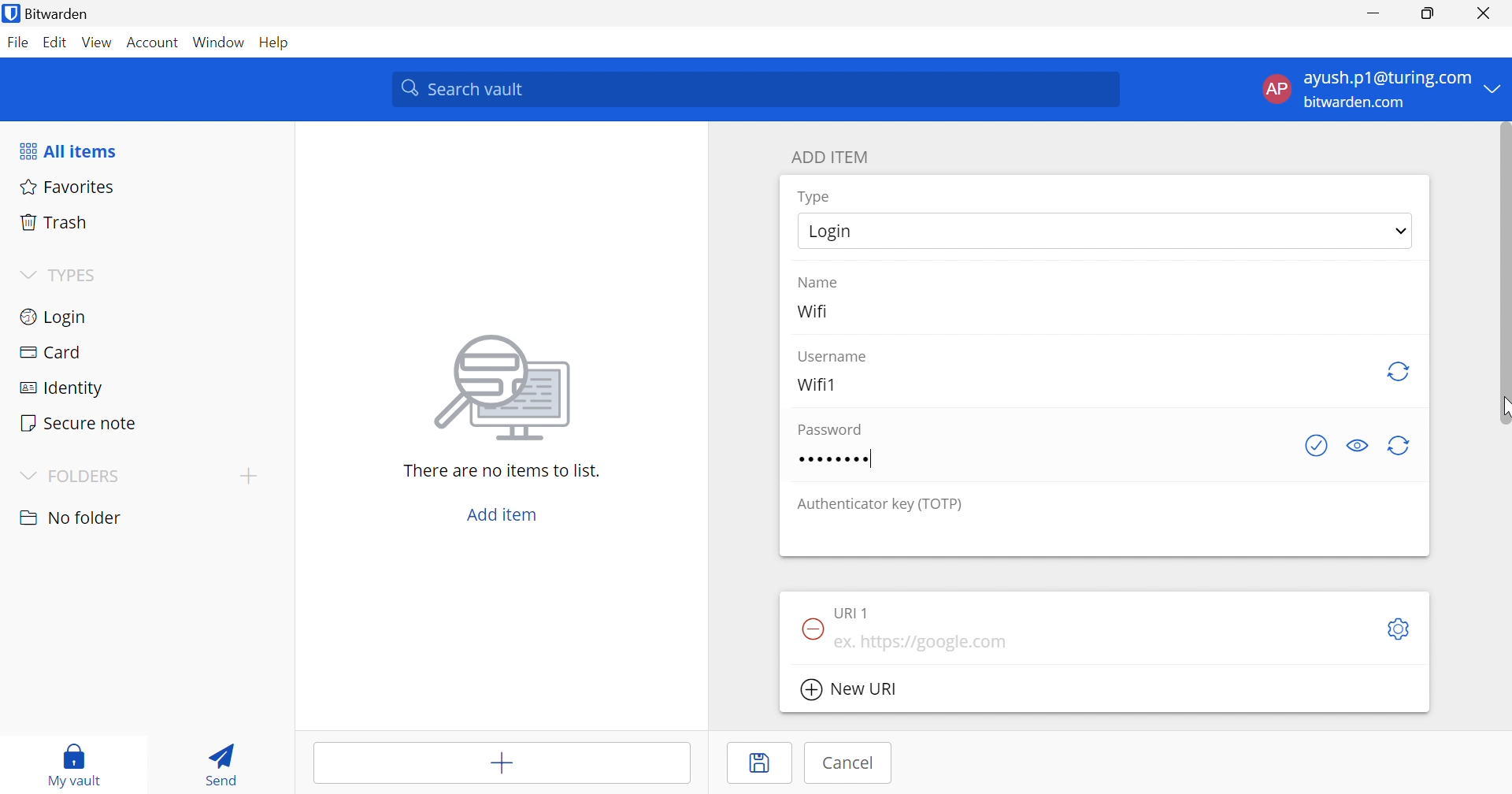  I want to click on There are no items to list., so click(503, 469).